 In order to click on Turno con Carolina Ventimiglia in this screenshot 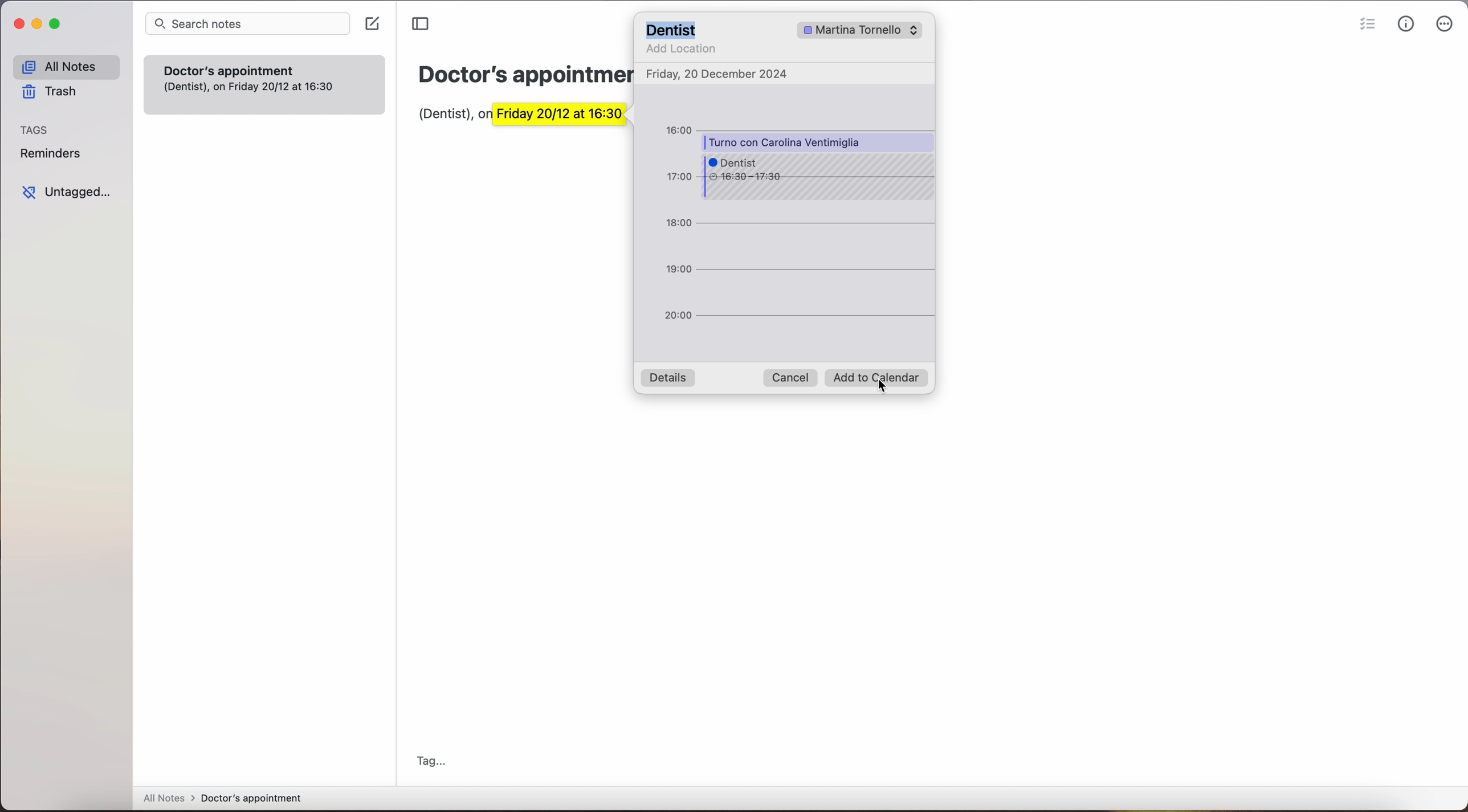, I will do `click(788, 141)`.